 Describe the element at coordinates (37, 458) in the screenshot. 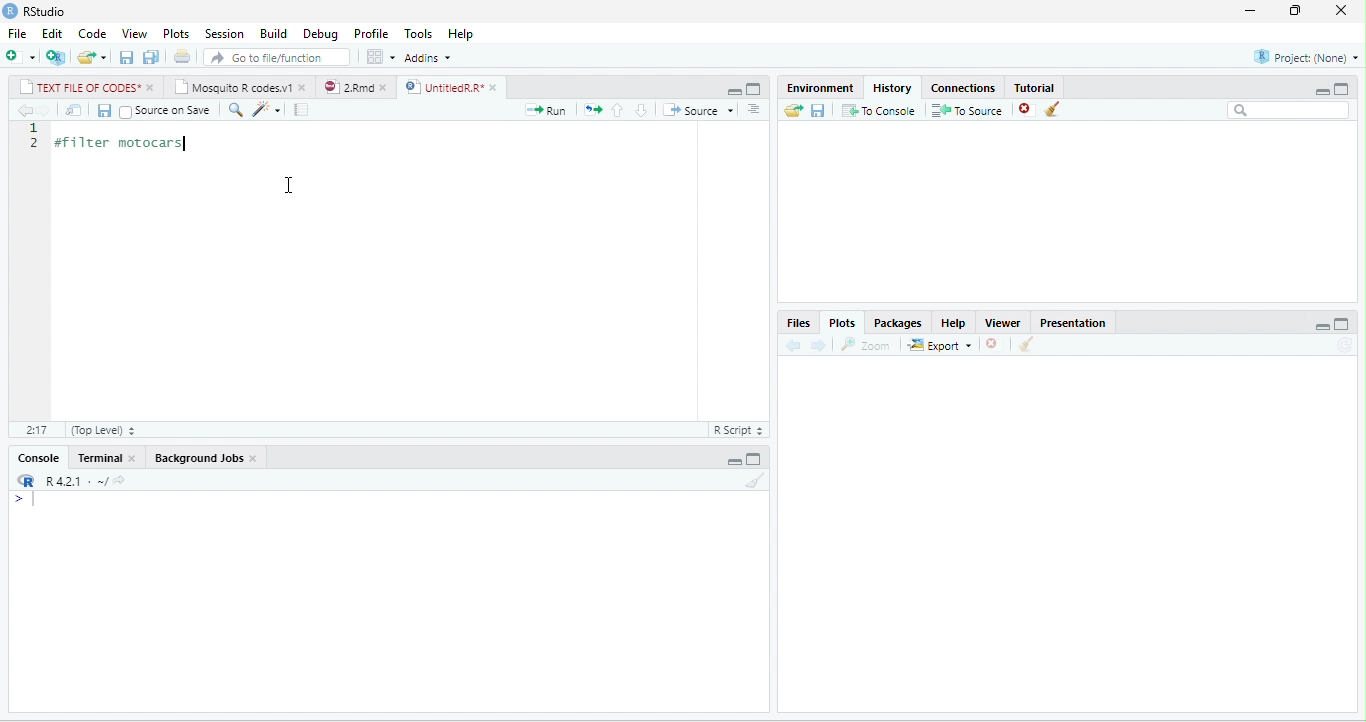

I see `Console` at that location.